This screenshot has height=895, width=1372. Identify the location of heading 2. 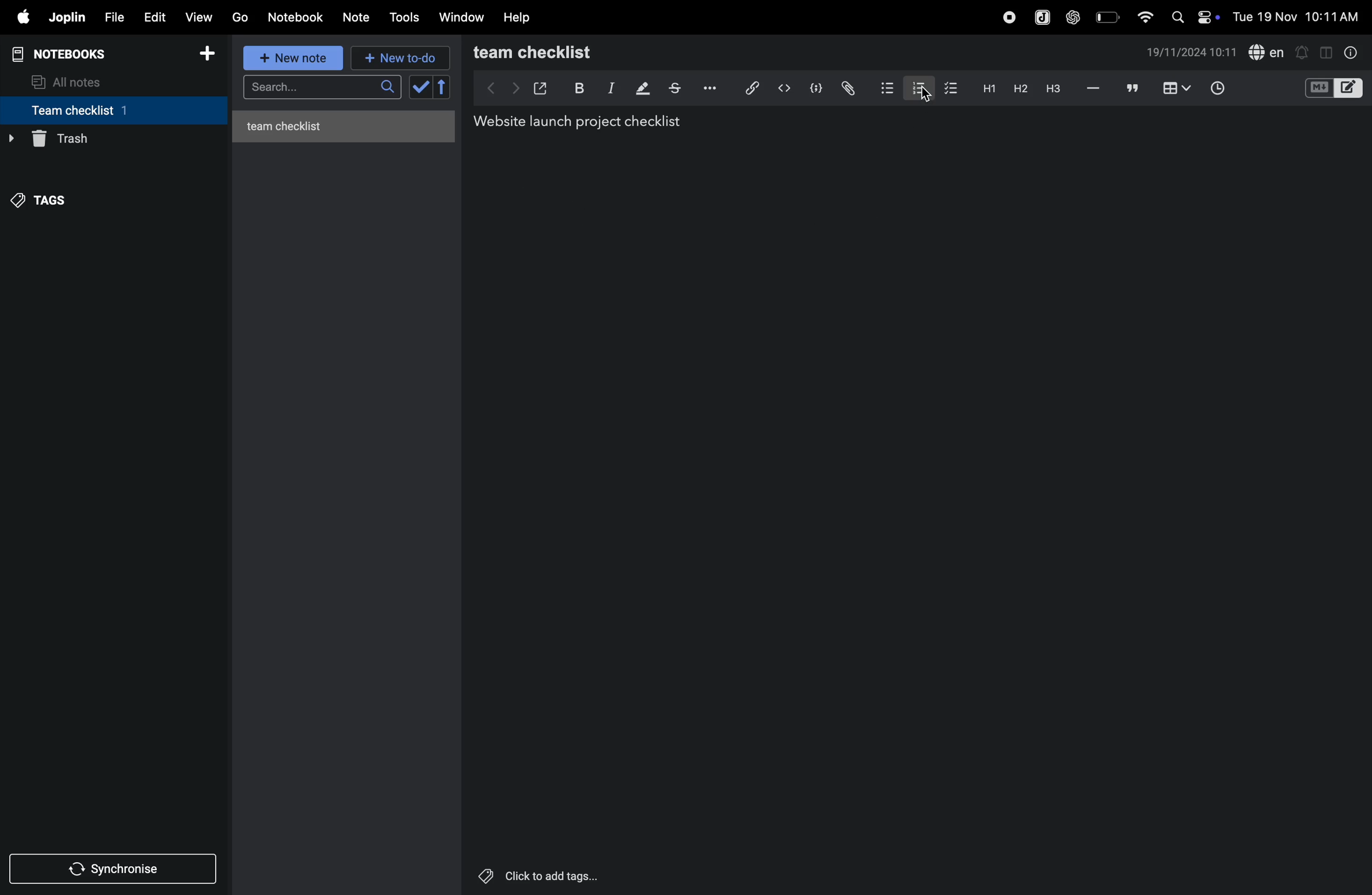
(986, 88).